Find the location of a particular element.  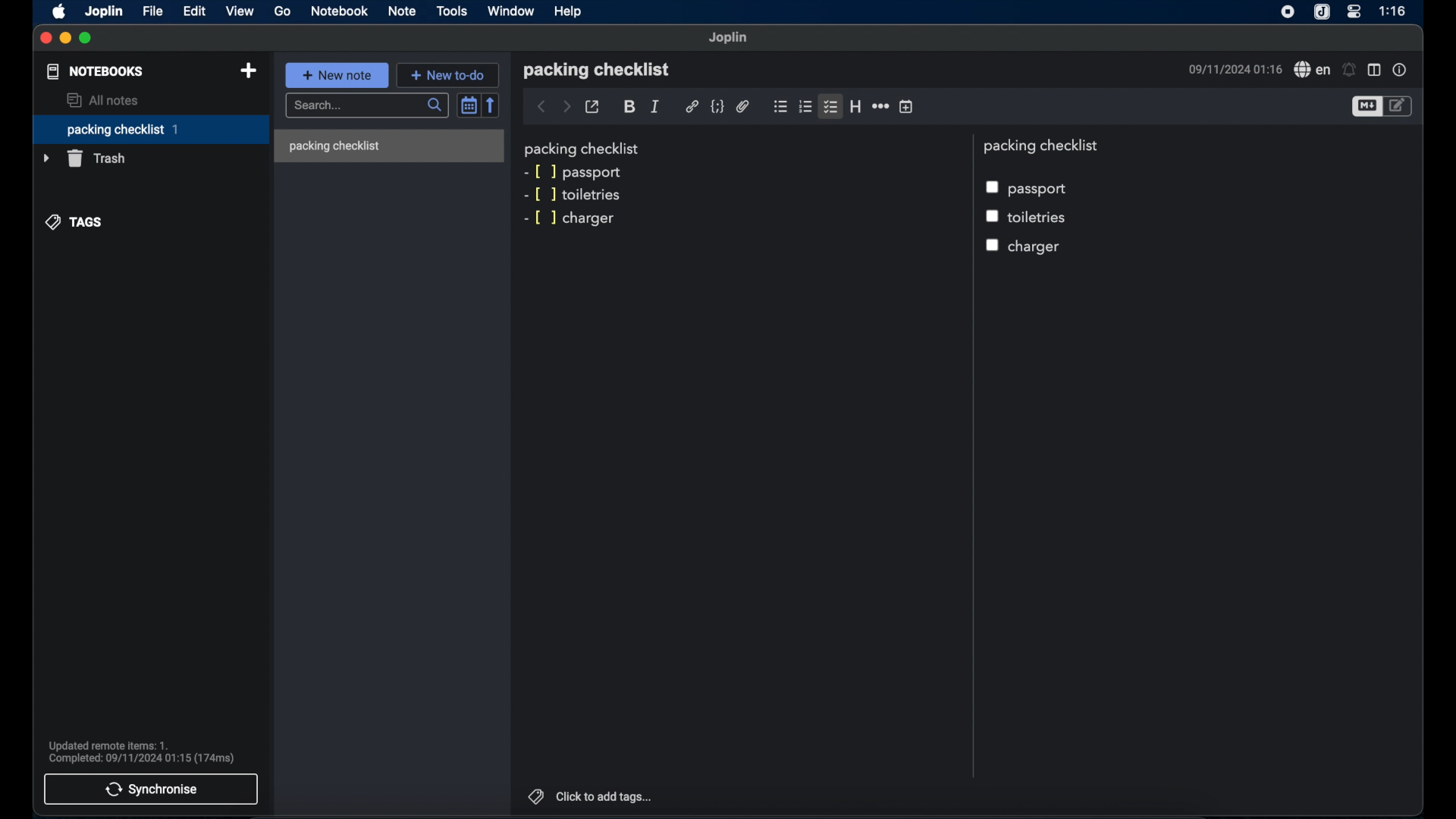

horizontal rule is located at coordinates (880, 107).